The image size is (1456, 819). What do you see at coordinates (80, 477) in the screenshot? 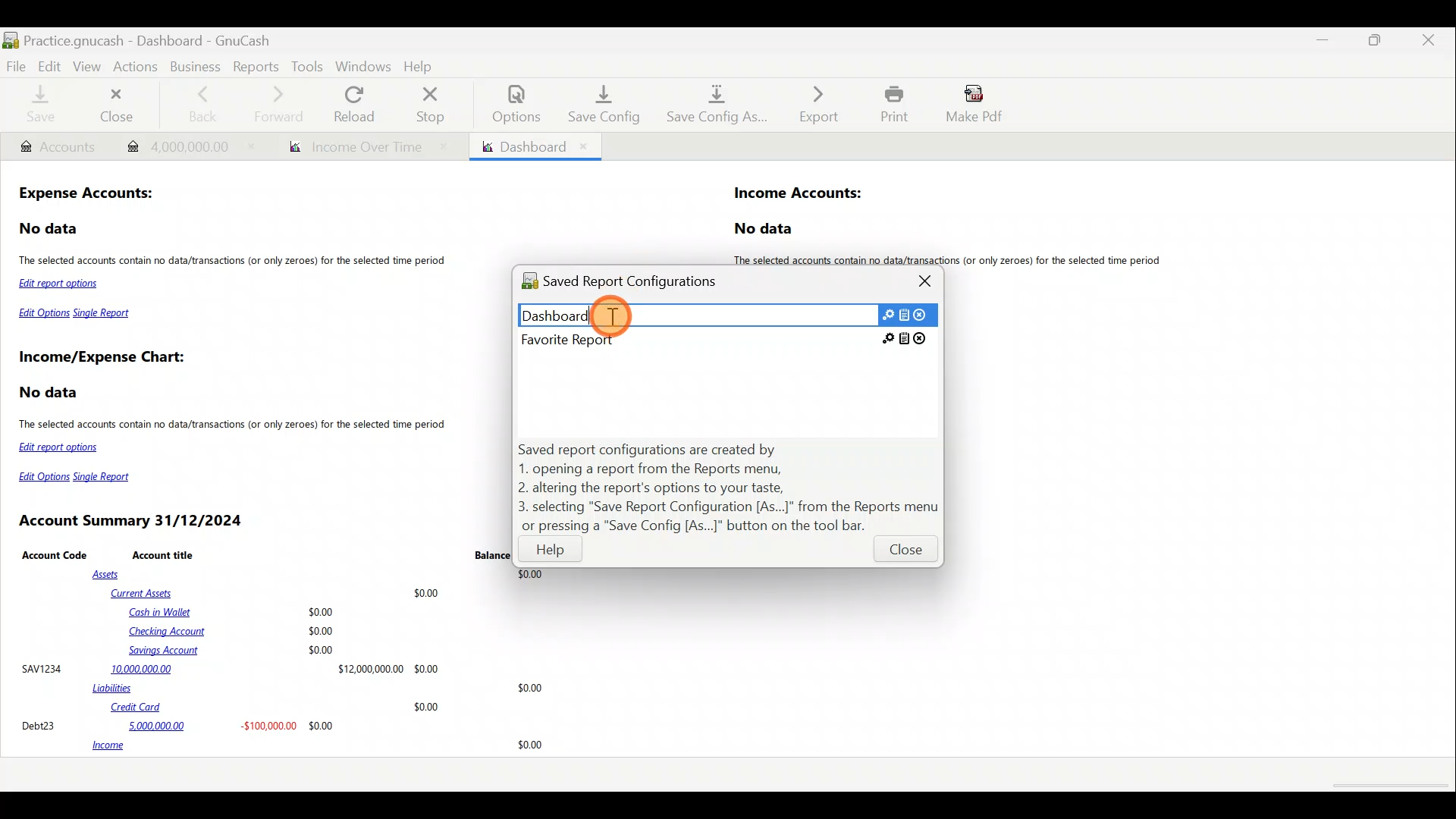
I see `Edit Options Single Report` at bounding box center [80, 477].